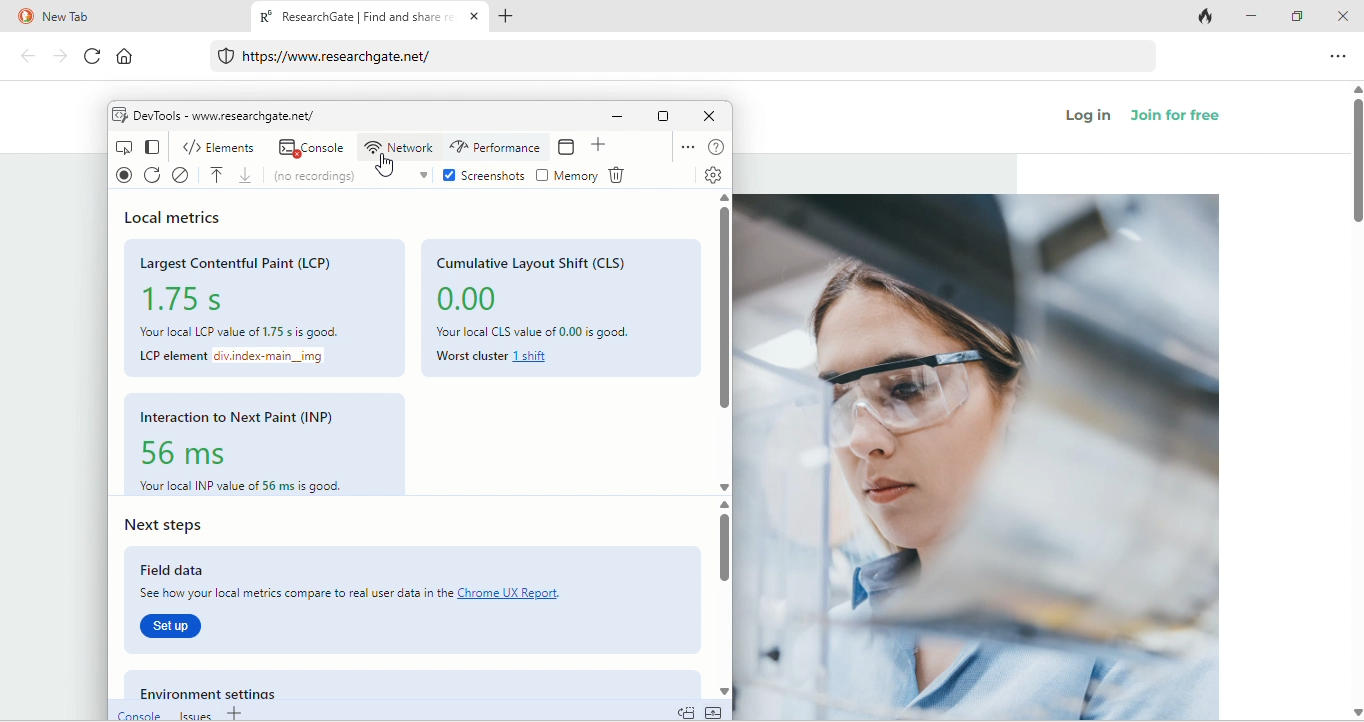  Describe the element at coordinates (601, 148) in the screenshot. I see `add` at that location.